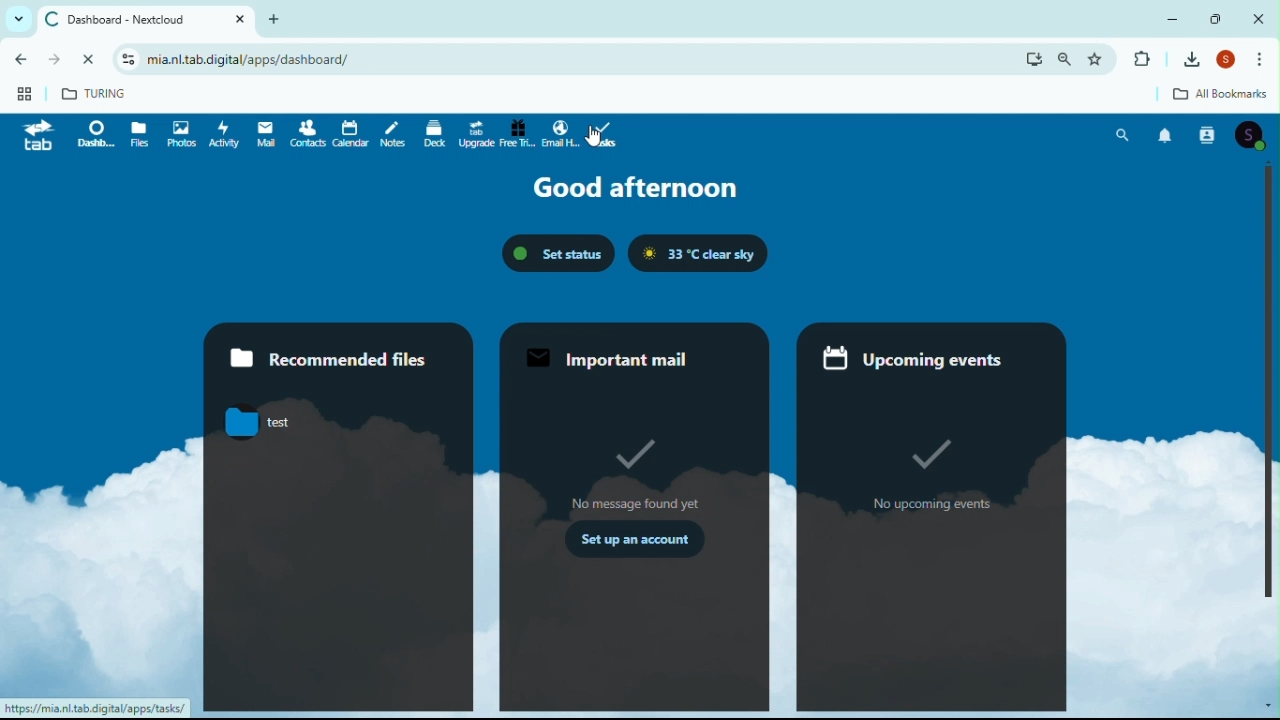 The image size is (1280, 720). Describe the element at coordinates (95, 139) in the screenshot. I see `dashboard` at that location.